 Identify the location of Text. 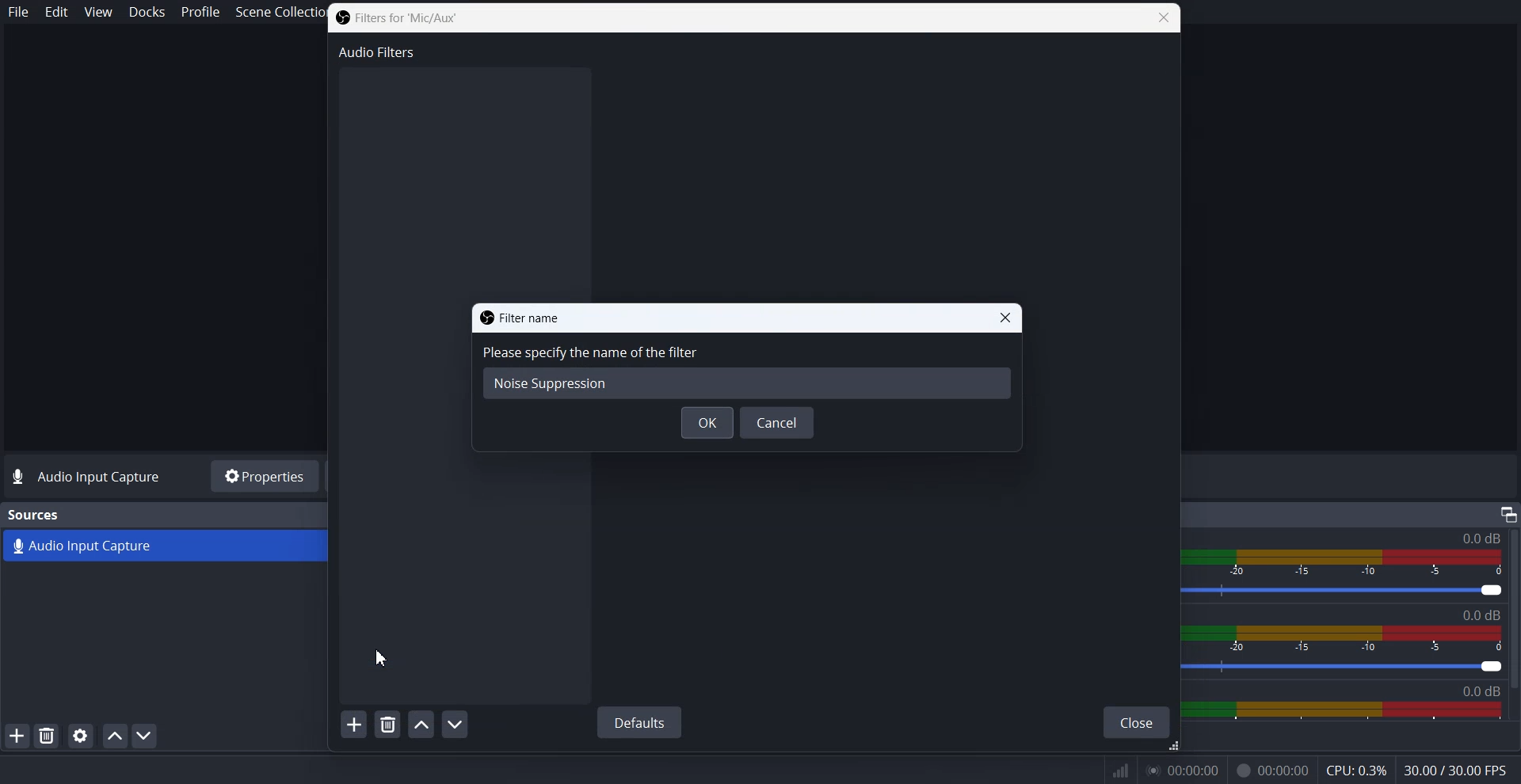
(520, 316).